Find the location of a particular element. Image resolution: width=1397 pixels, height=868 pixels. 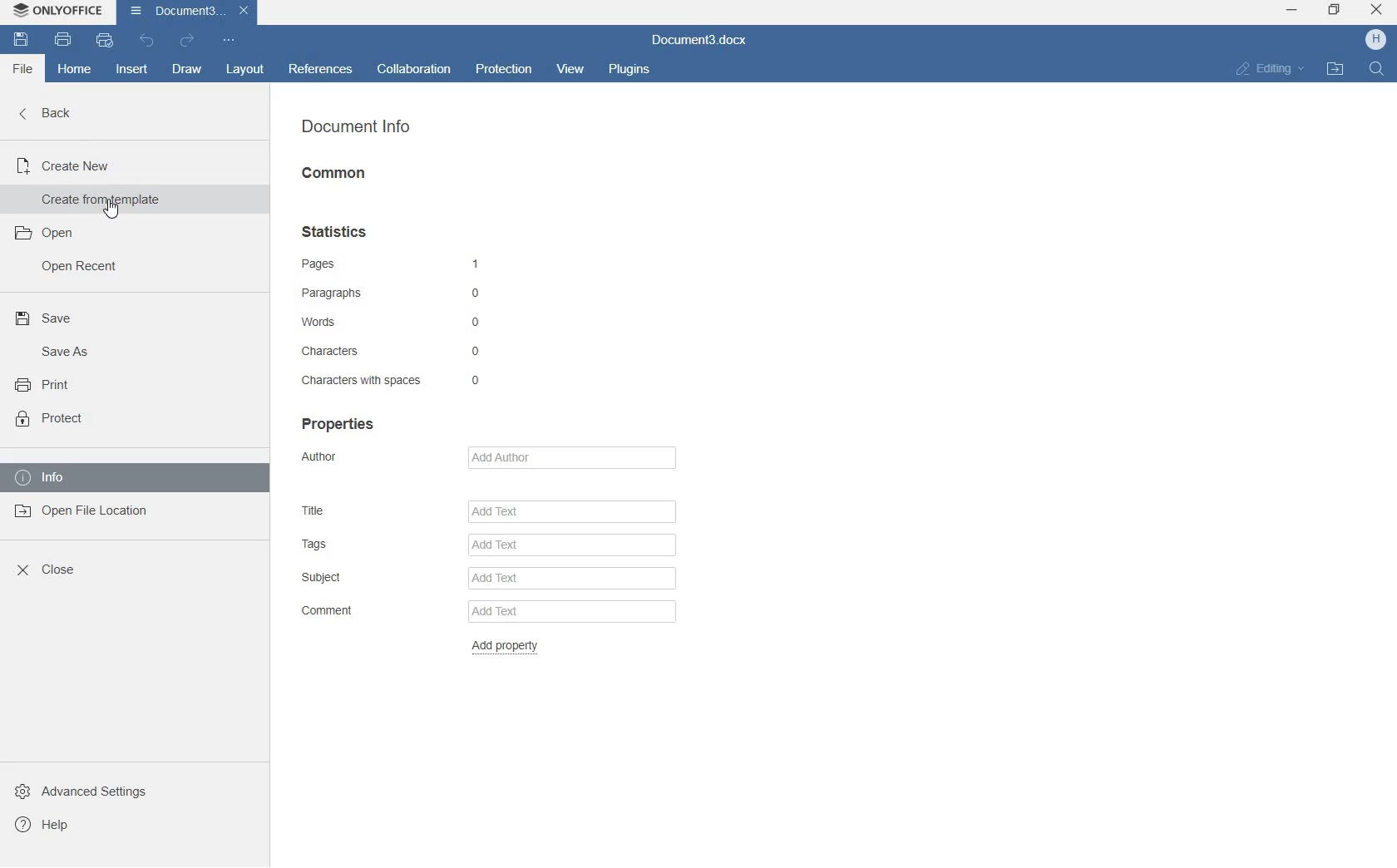

plugins is located at coordinates (630, 69).